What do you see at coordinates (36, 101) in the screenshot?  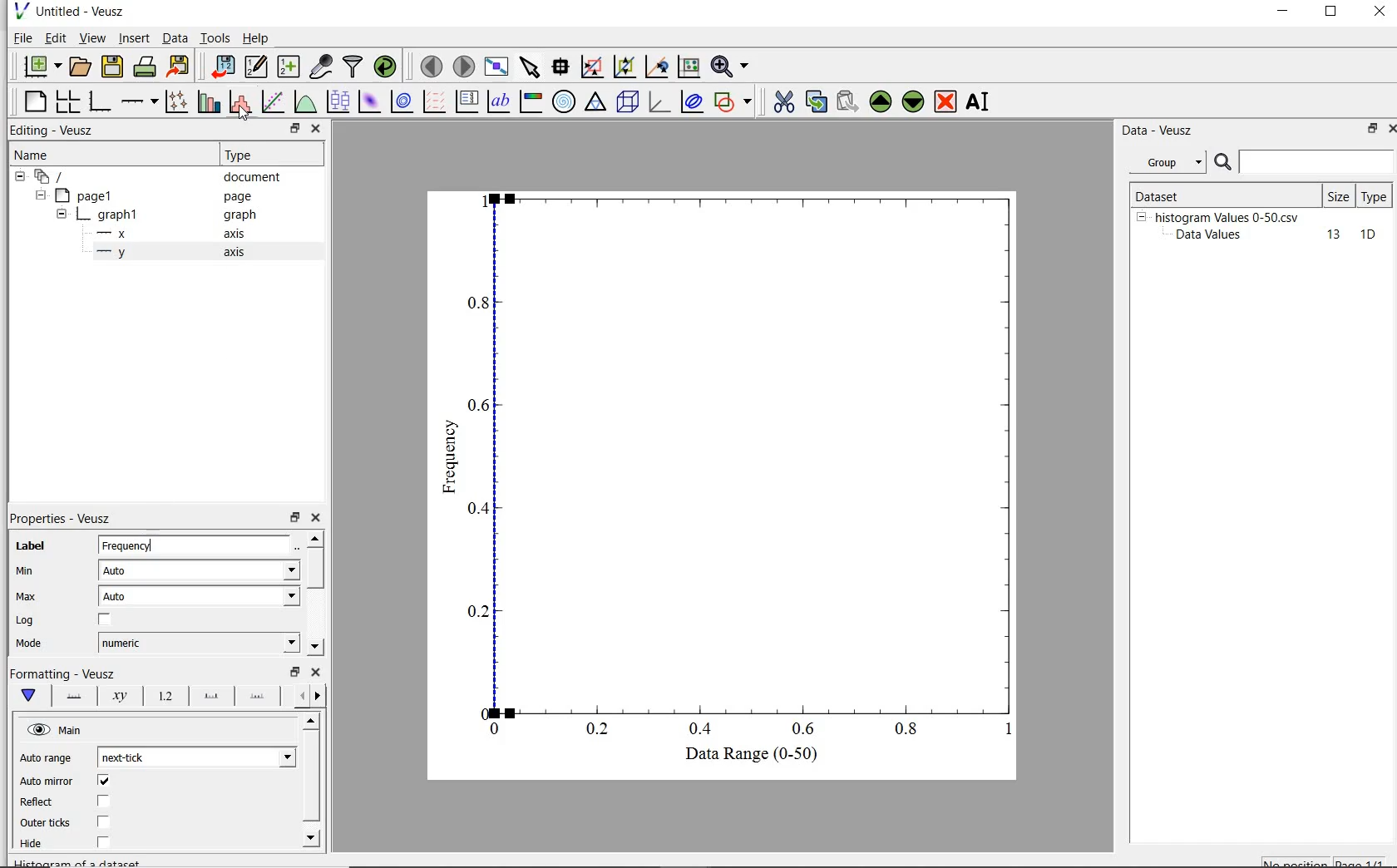 I see `blank page` at bounding box center [36, 101].